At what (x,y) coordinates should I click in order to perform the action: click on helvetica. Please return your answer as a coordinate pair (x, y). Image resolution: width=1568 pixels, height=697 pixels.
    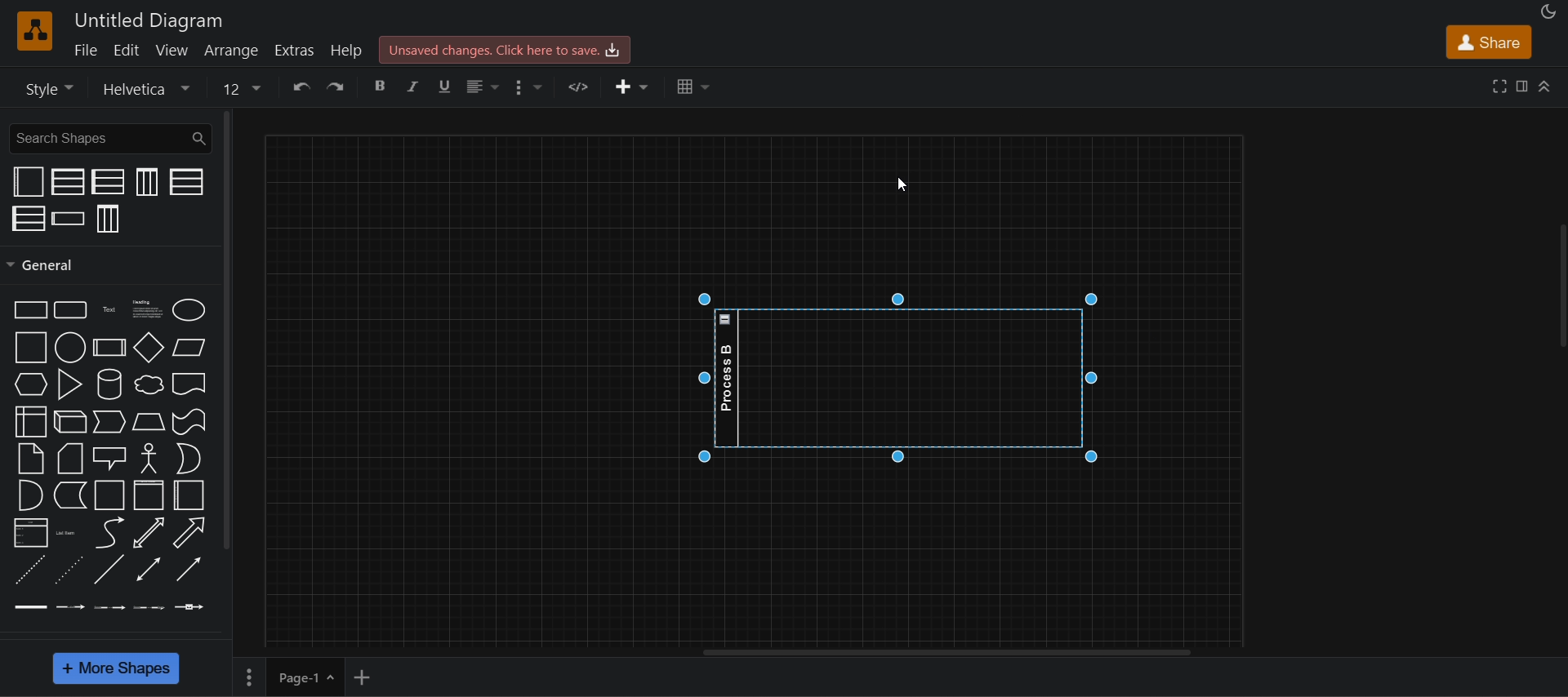
    Looking at the image, I should click on (139, 90).